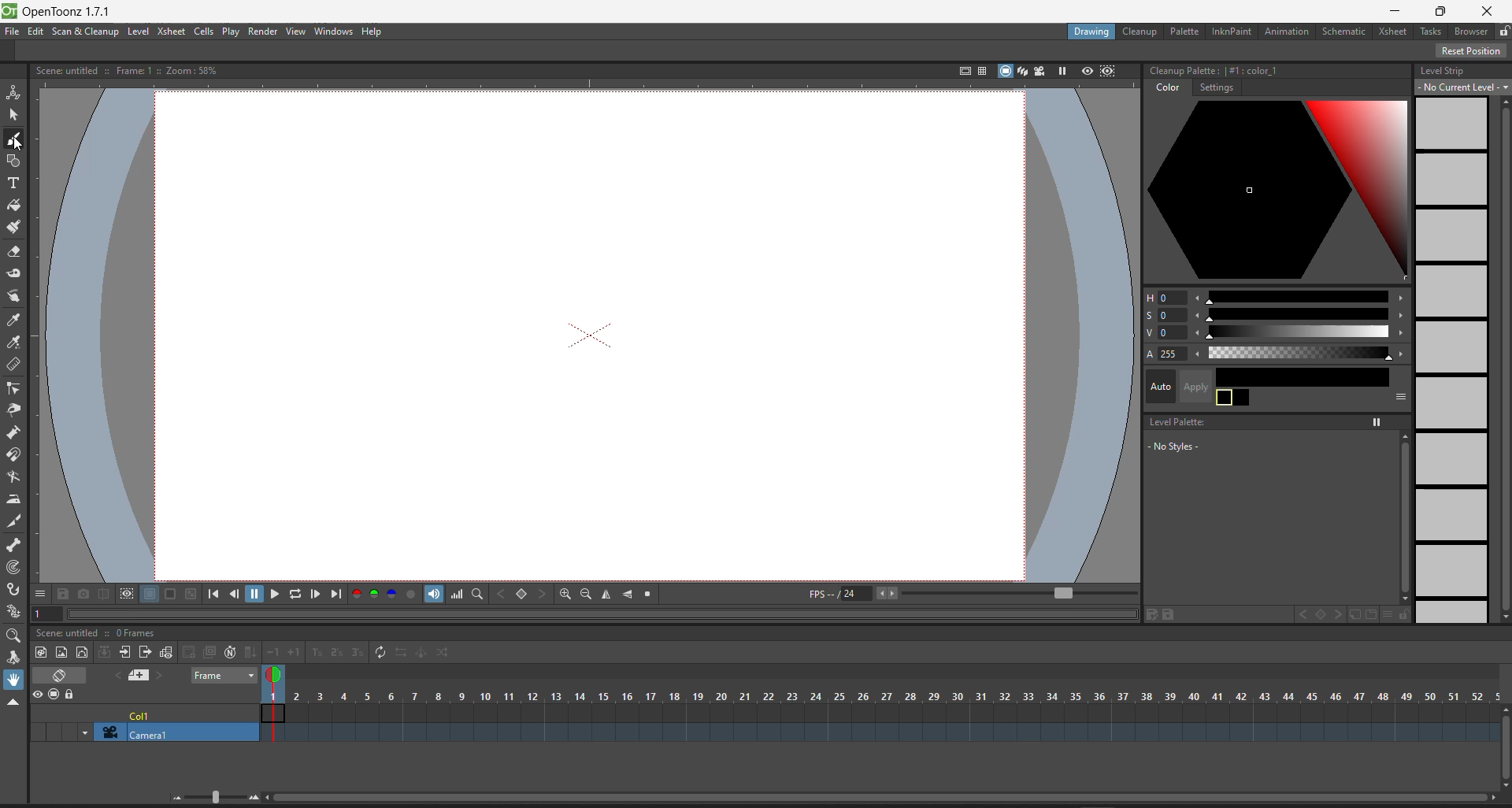  Describe the element at coordinates (213, 797) in the screenshot. I see `slider` at that location.